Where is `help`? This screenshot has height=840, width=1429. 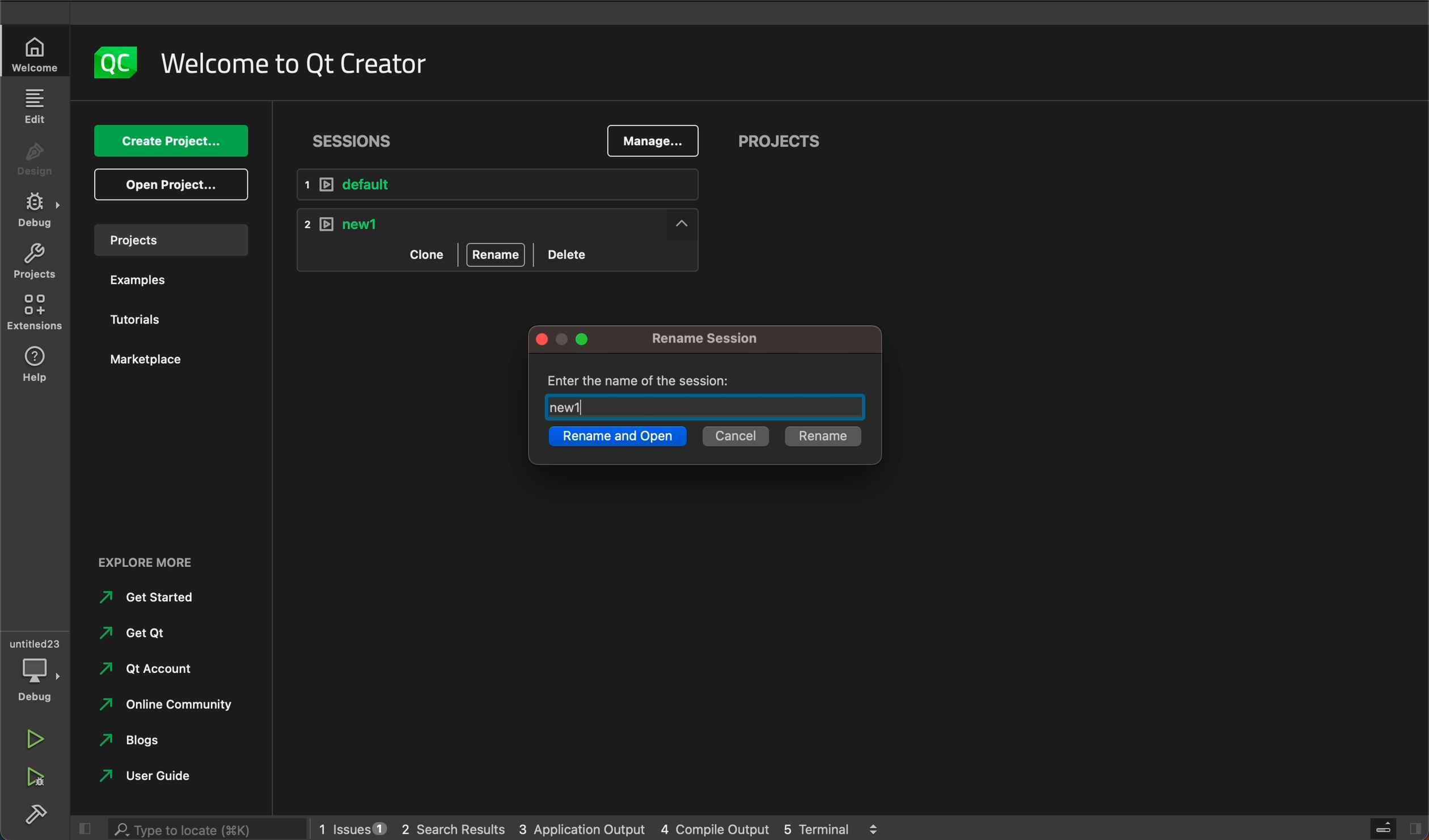
help is located at coordinates (31, 363).